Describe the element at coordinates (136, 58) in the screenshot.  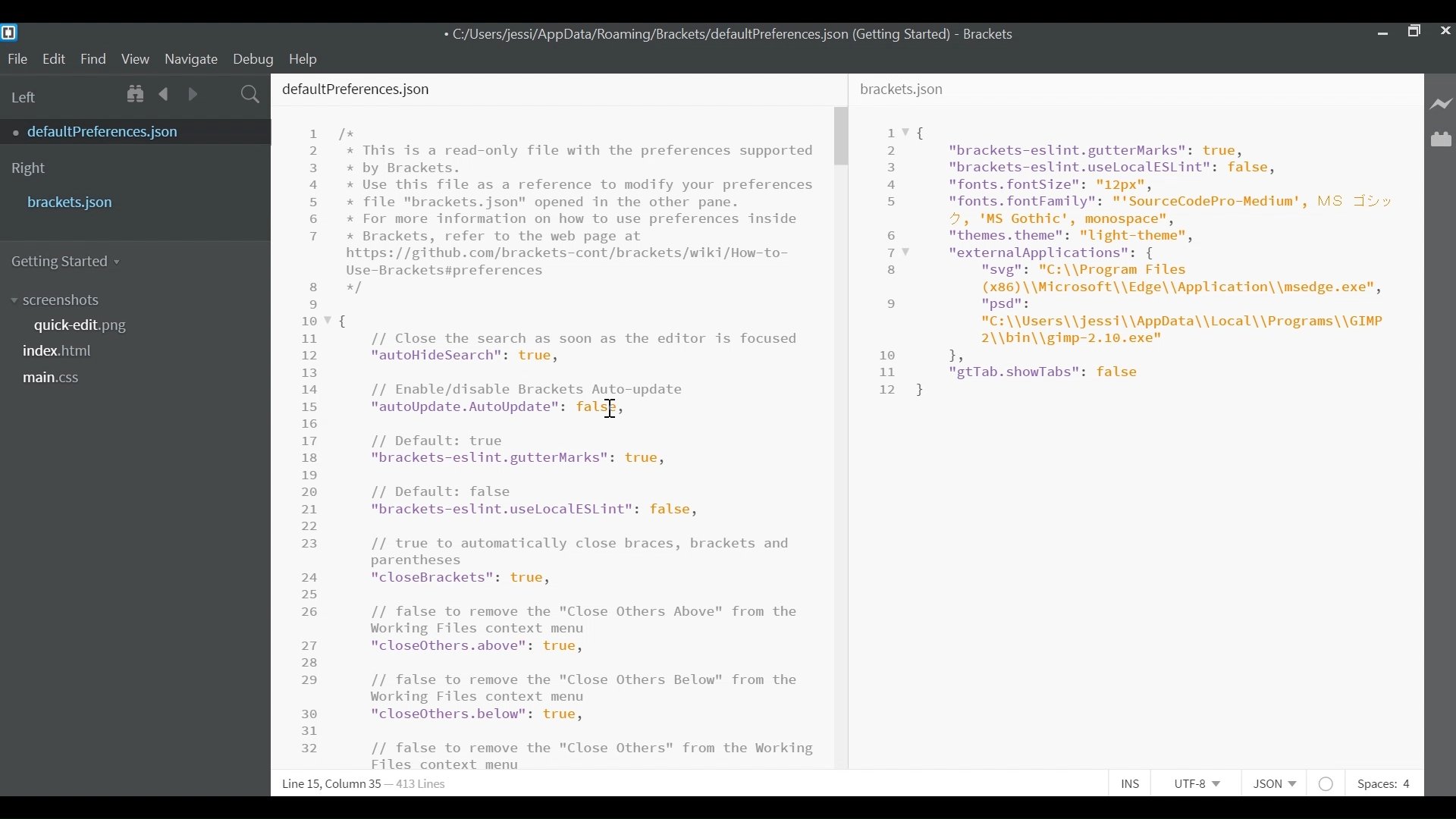
I see `View` at that location.